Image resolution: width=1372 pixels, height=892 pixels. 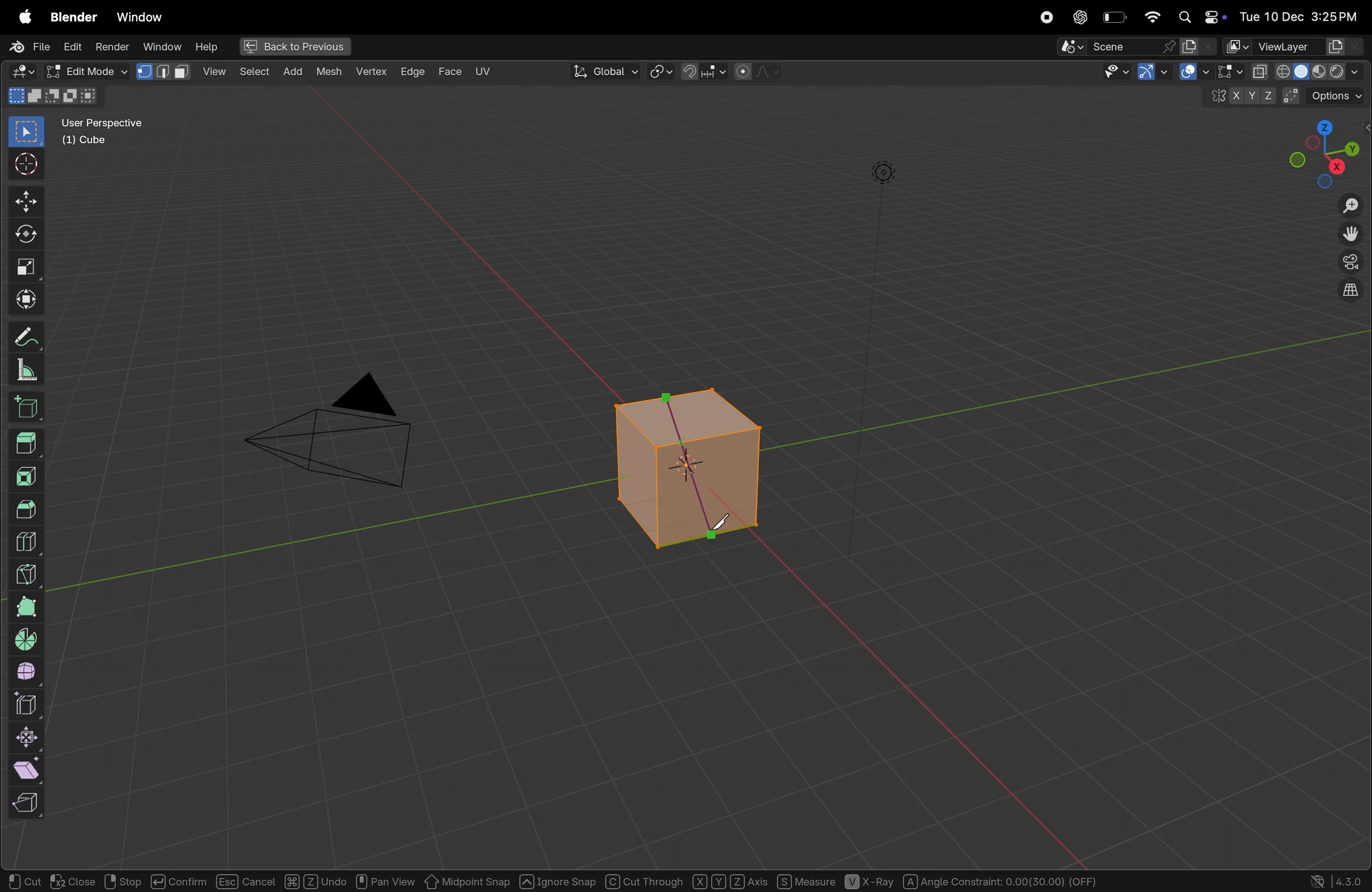 What do you see at coordinates (372, 73) in the screenshot?
I see `vertex` at bounding box center [372, 73].